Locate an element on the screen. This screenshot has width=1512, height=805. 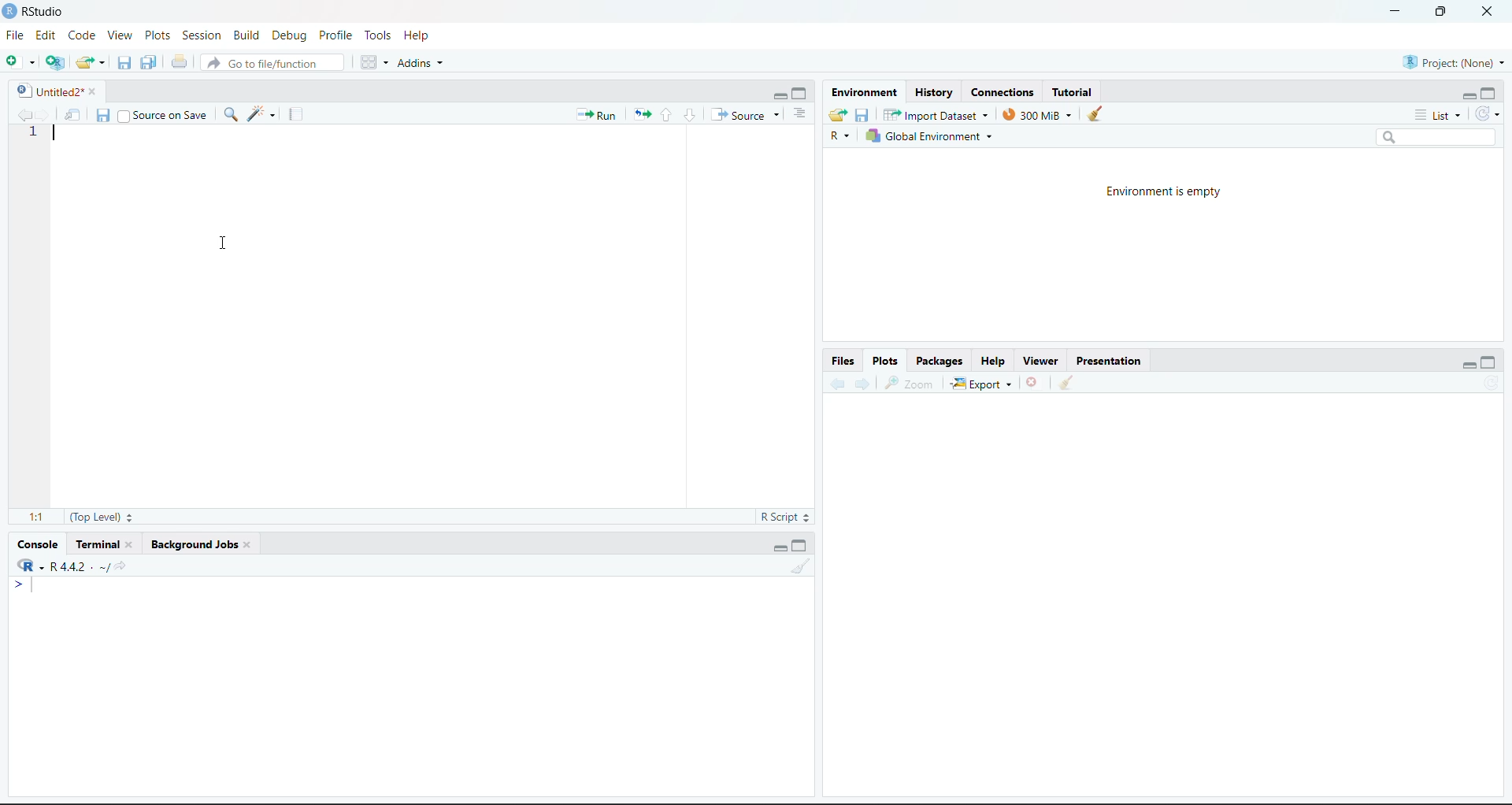
Connections is located at coordinates (1000, 93).